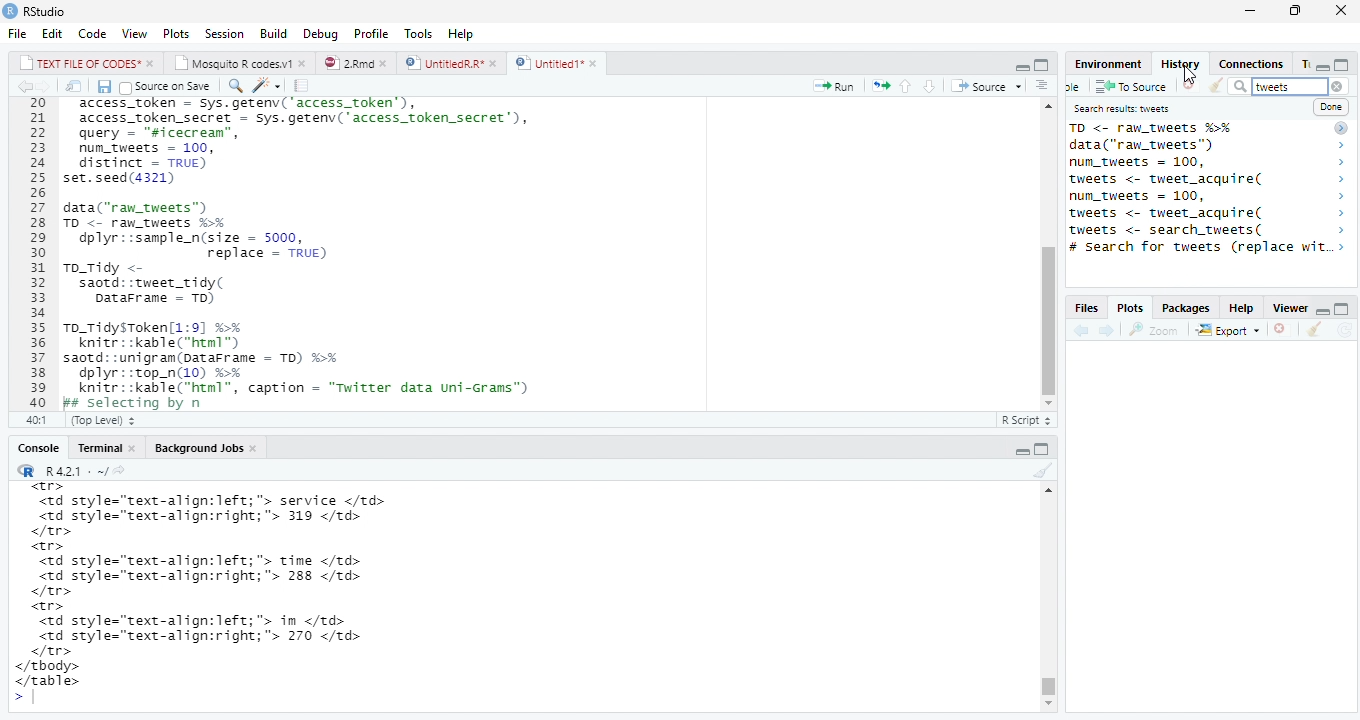 The image size is (1360, 720). What do you see at coordinates (1110, 63) in the screenshot?
I see `Environment` at bounding box center [1110, 63].